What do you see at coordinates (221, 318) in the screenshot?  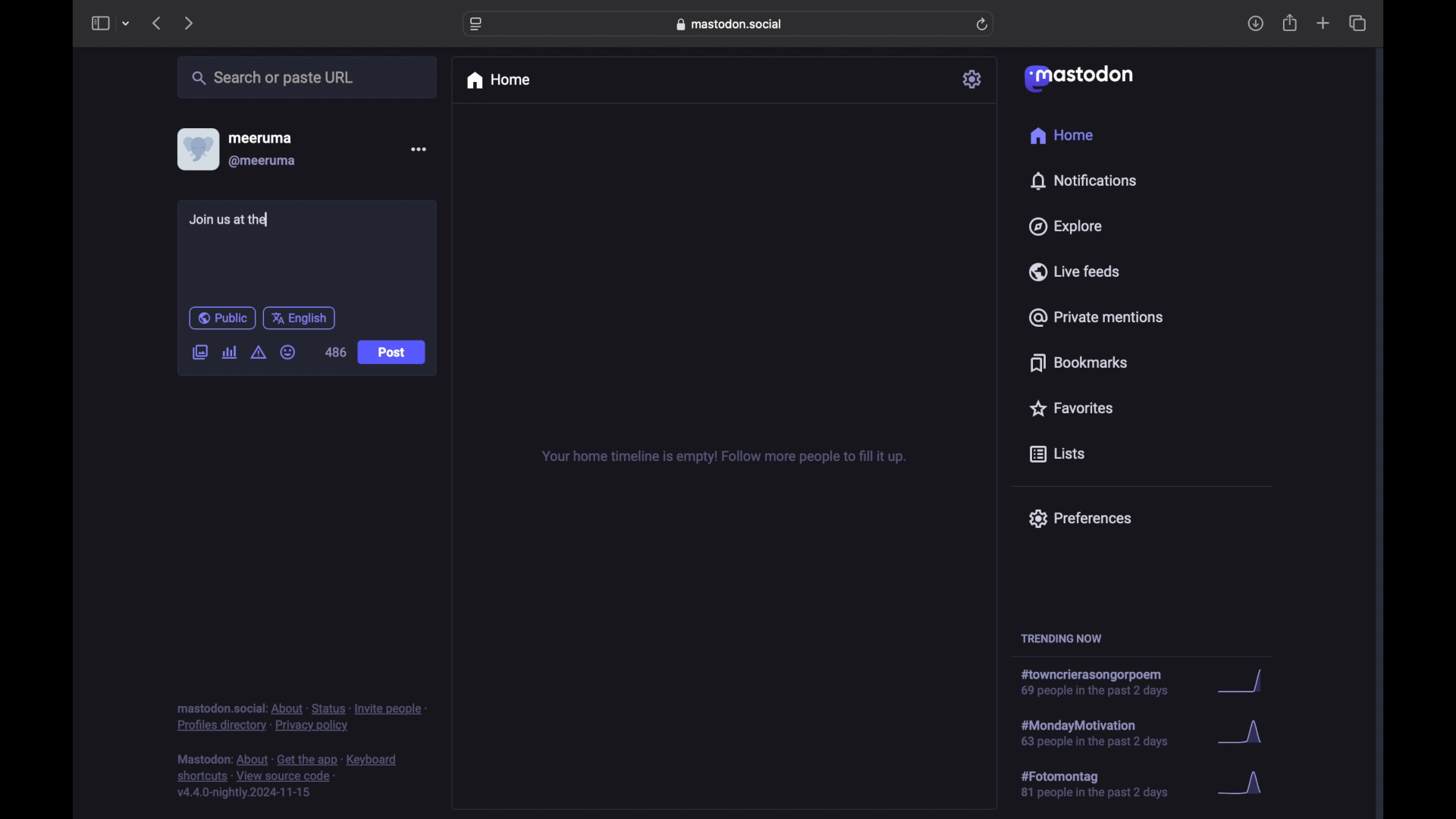 I see `public` at bounding box center [221, 318].